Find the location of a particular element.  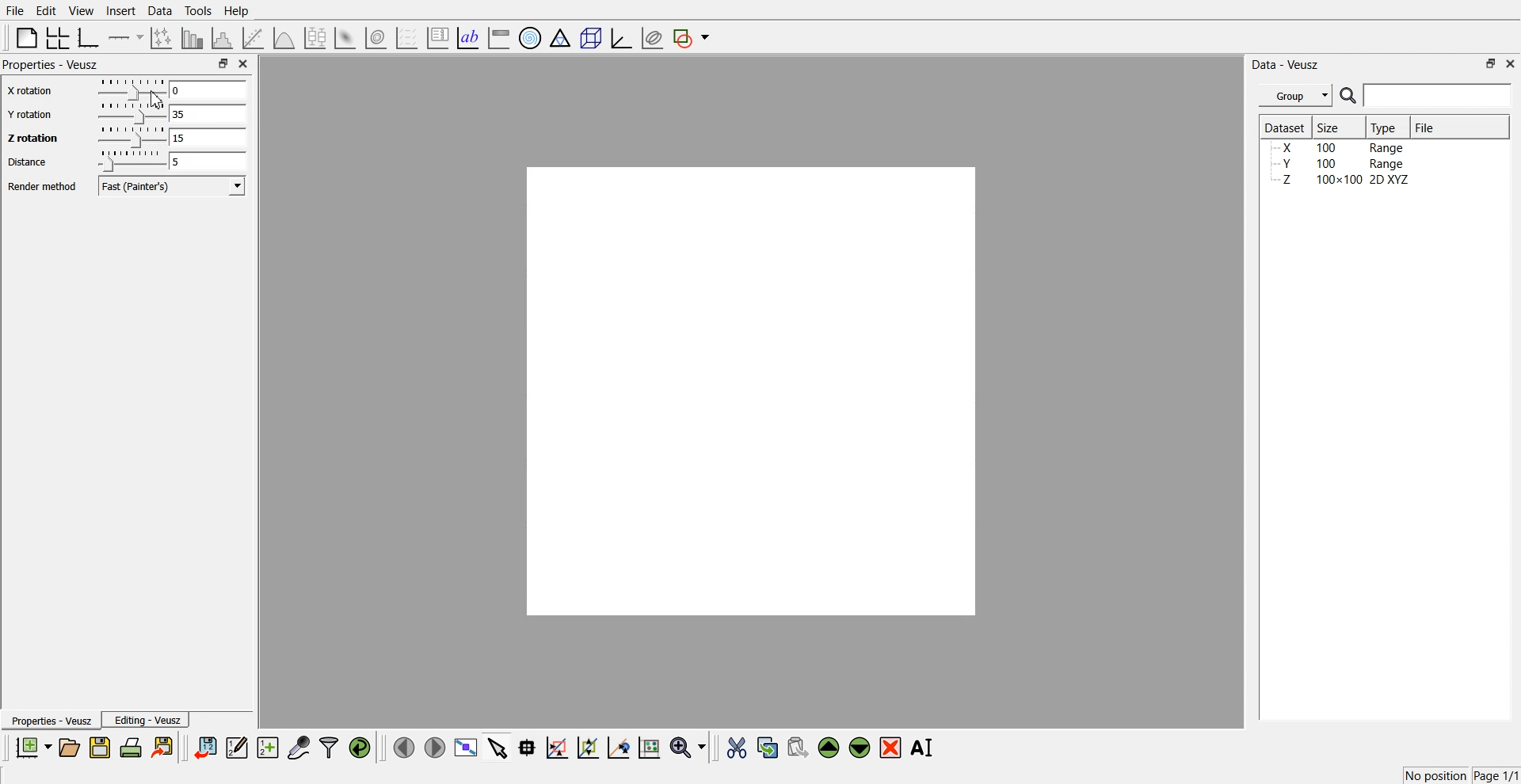

Add shape to the plot is located at coordinates (691, 38).